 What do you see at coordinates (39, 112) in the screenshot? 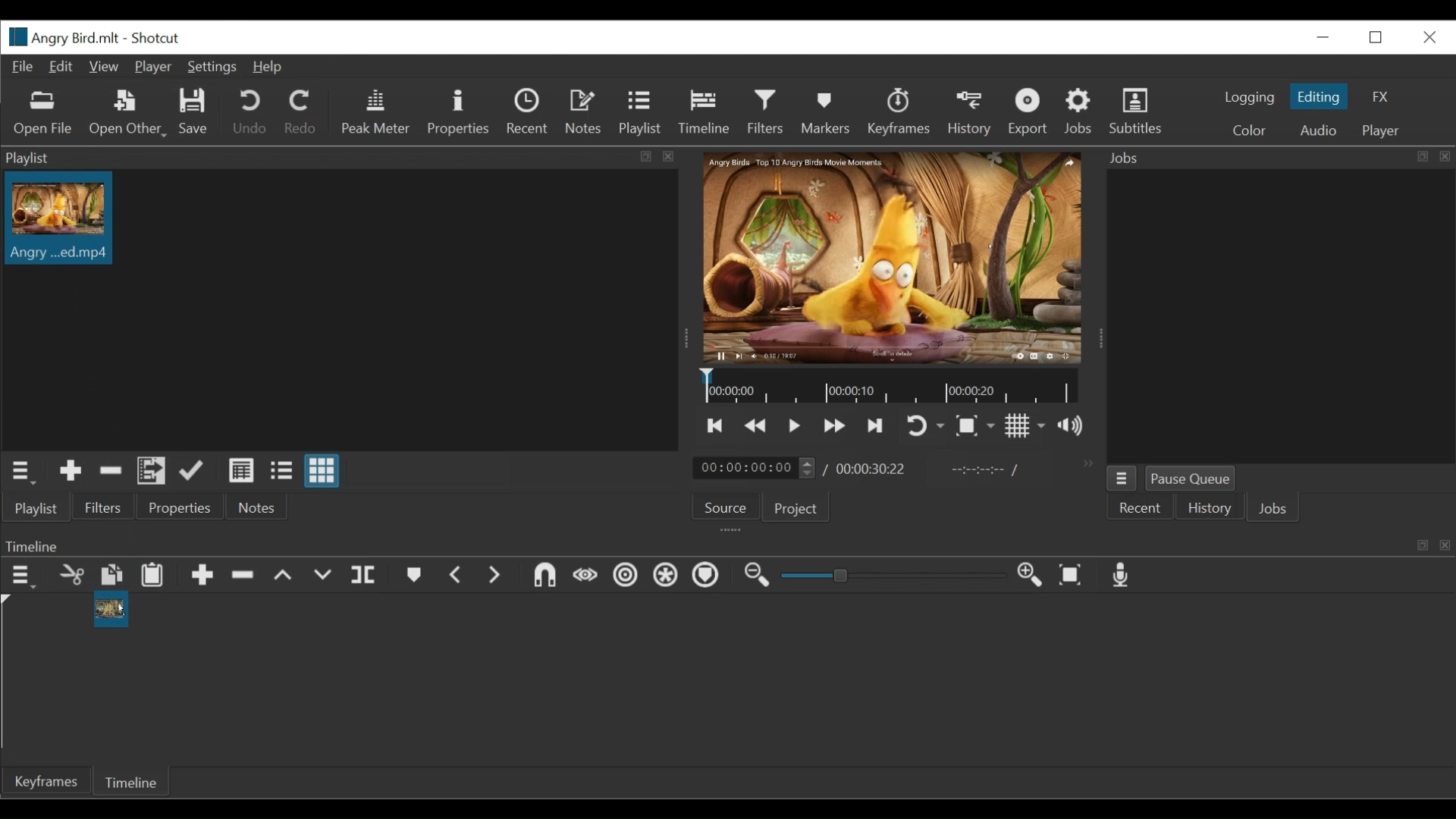
I see `Open File` at bounding box center [39, 112].